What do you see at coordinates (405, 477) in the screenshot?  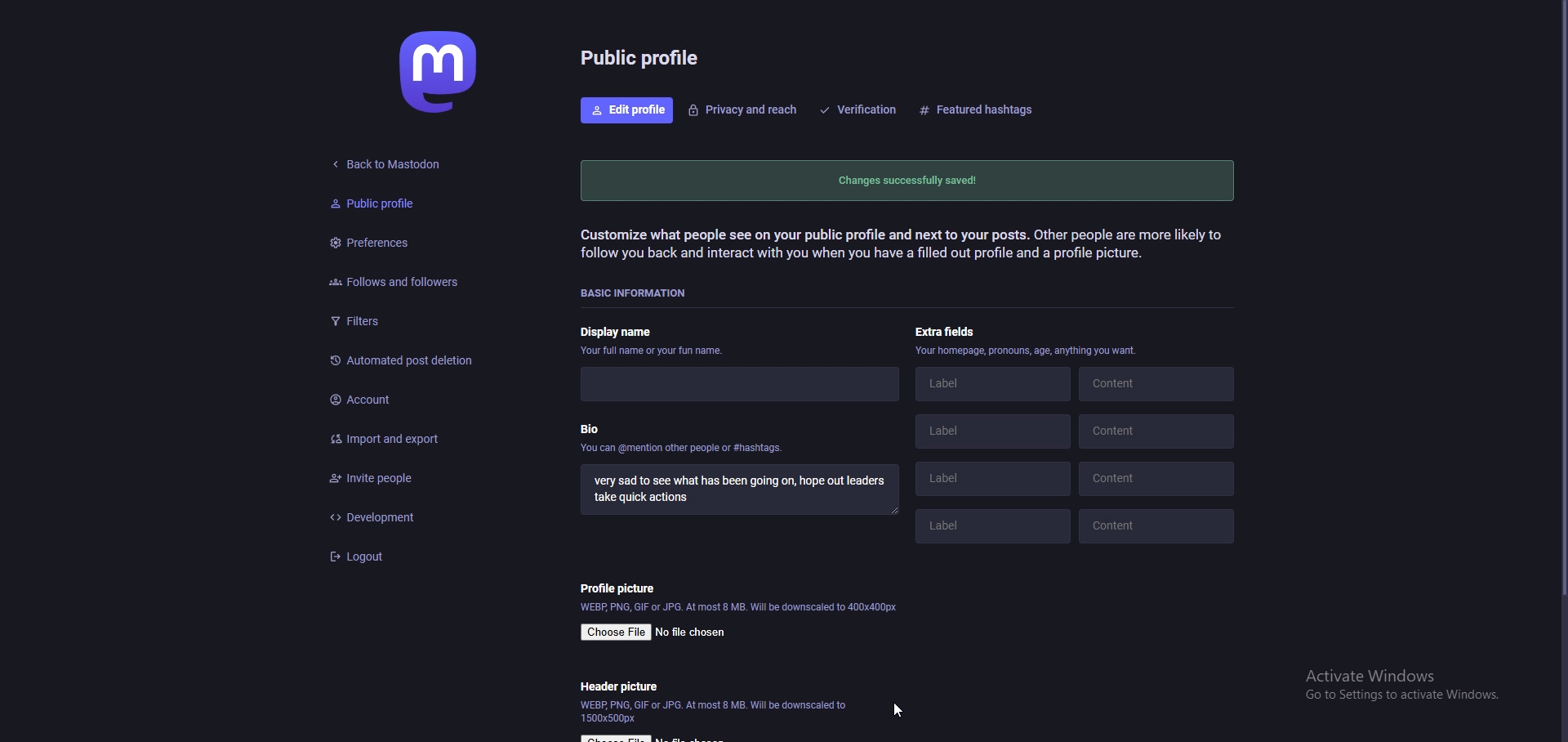 I see `invite people` at bounding box center [405, 477].